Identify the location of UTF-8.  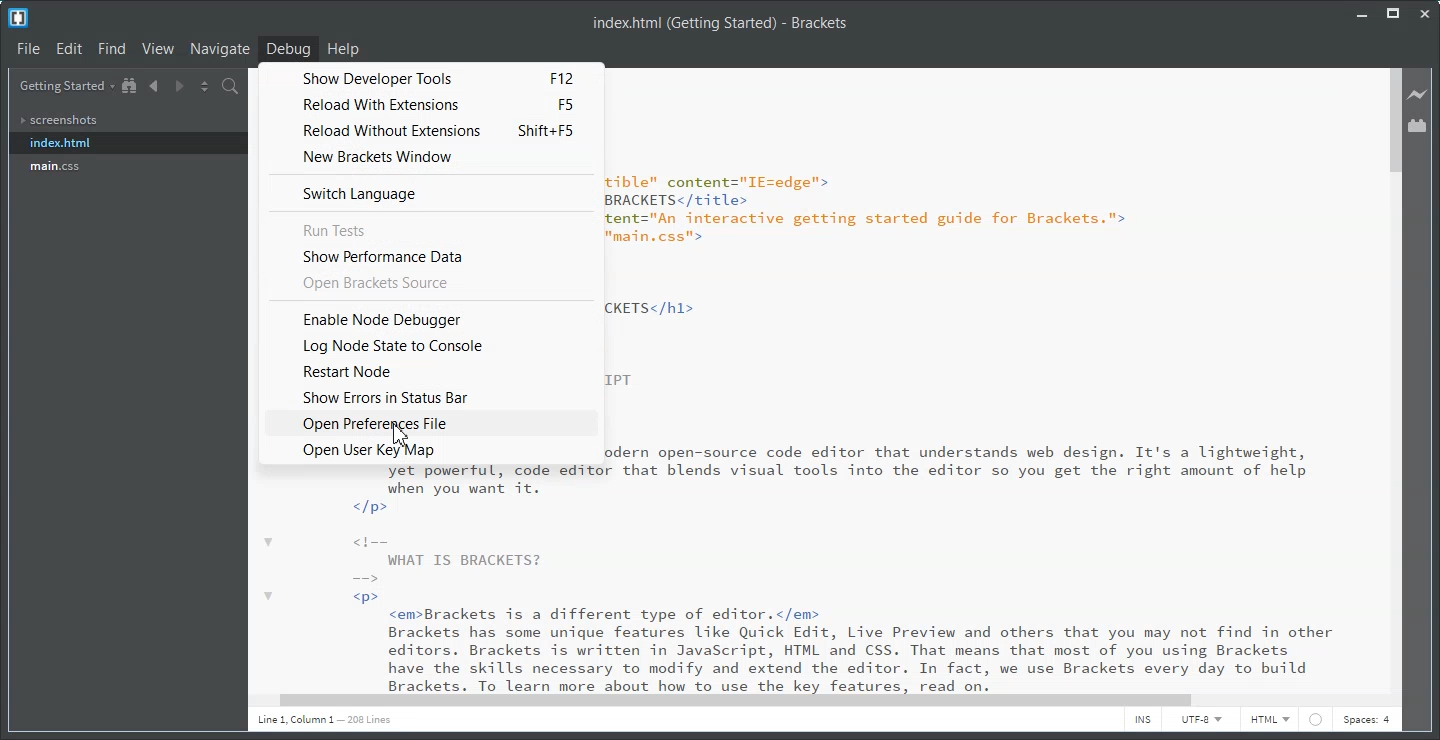
(1201, 721).